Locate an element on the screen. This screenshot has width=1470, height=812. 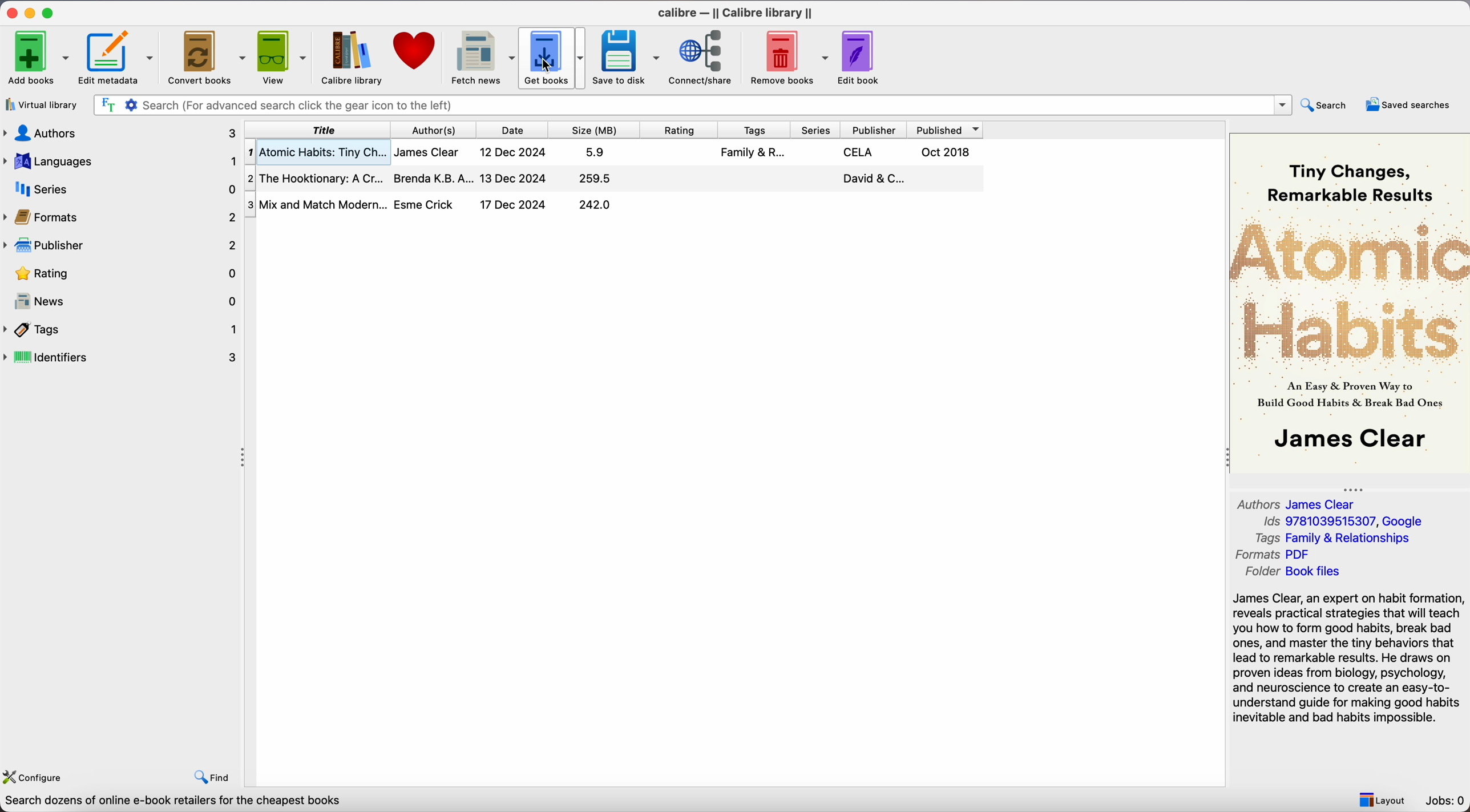
find is located at coordinates (215, 778).